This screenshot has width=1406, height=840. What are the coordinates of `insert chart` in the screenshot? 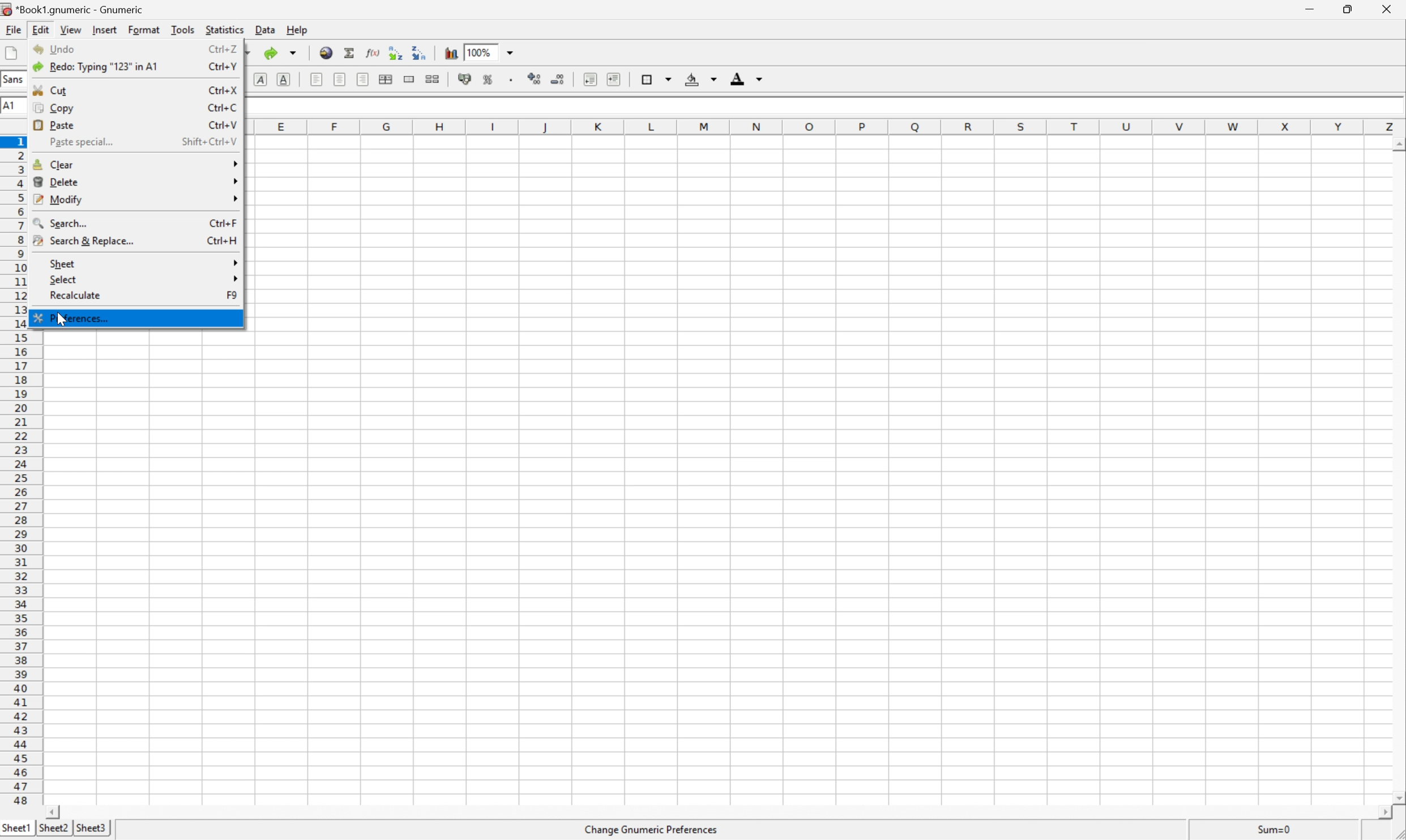 It's located at (451, 52).